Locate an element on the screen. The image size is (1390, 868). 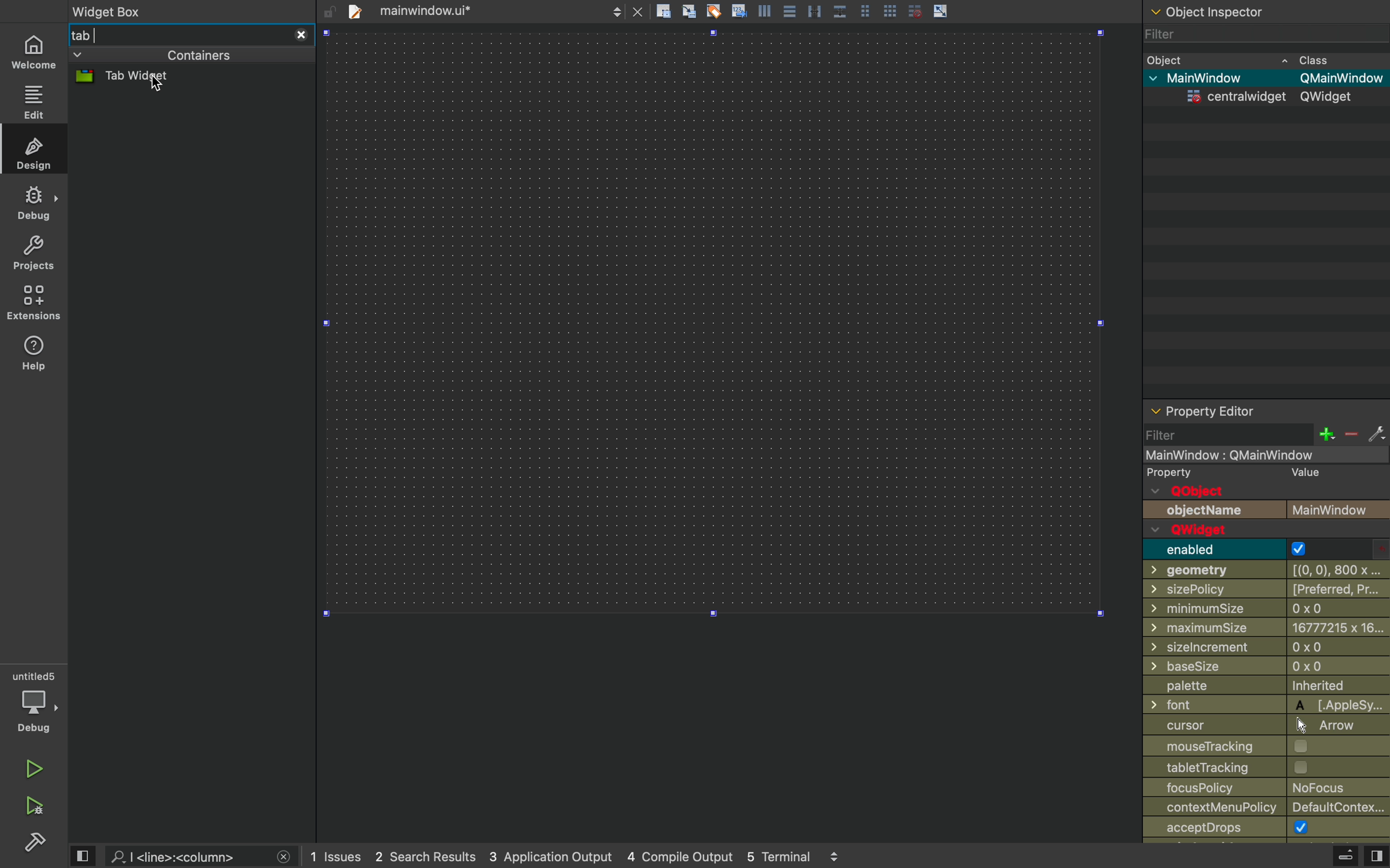
minimumsize is located at coordinates (1264, 610).